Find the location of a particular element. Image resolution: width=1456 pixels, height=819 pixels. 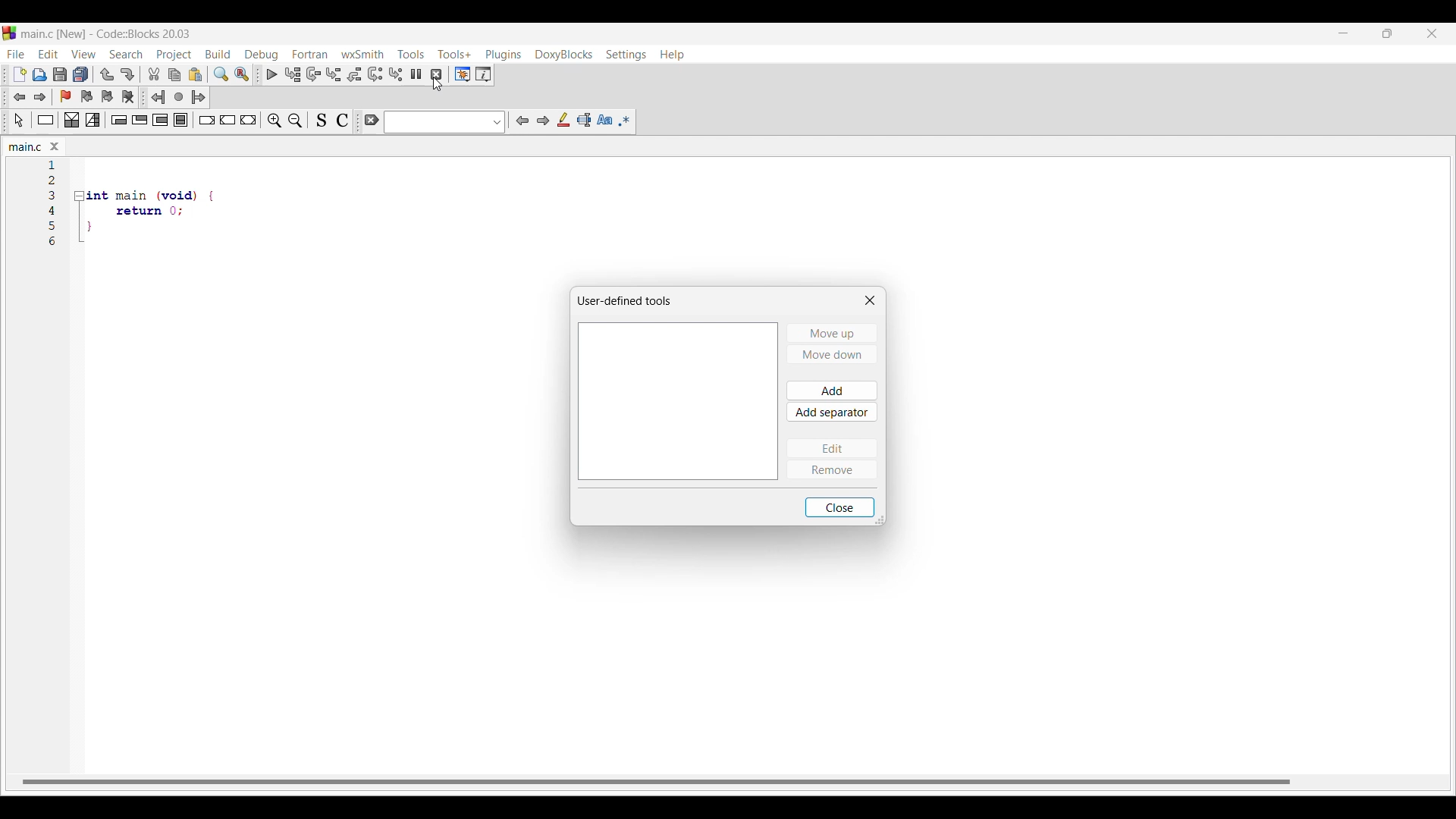

Step out is located at coordinates (354, 74).